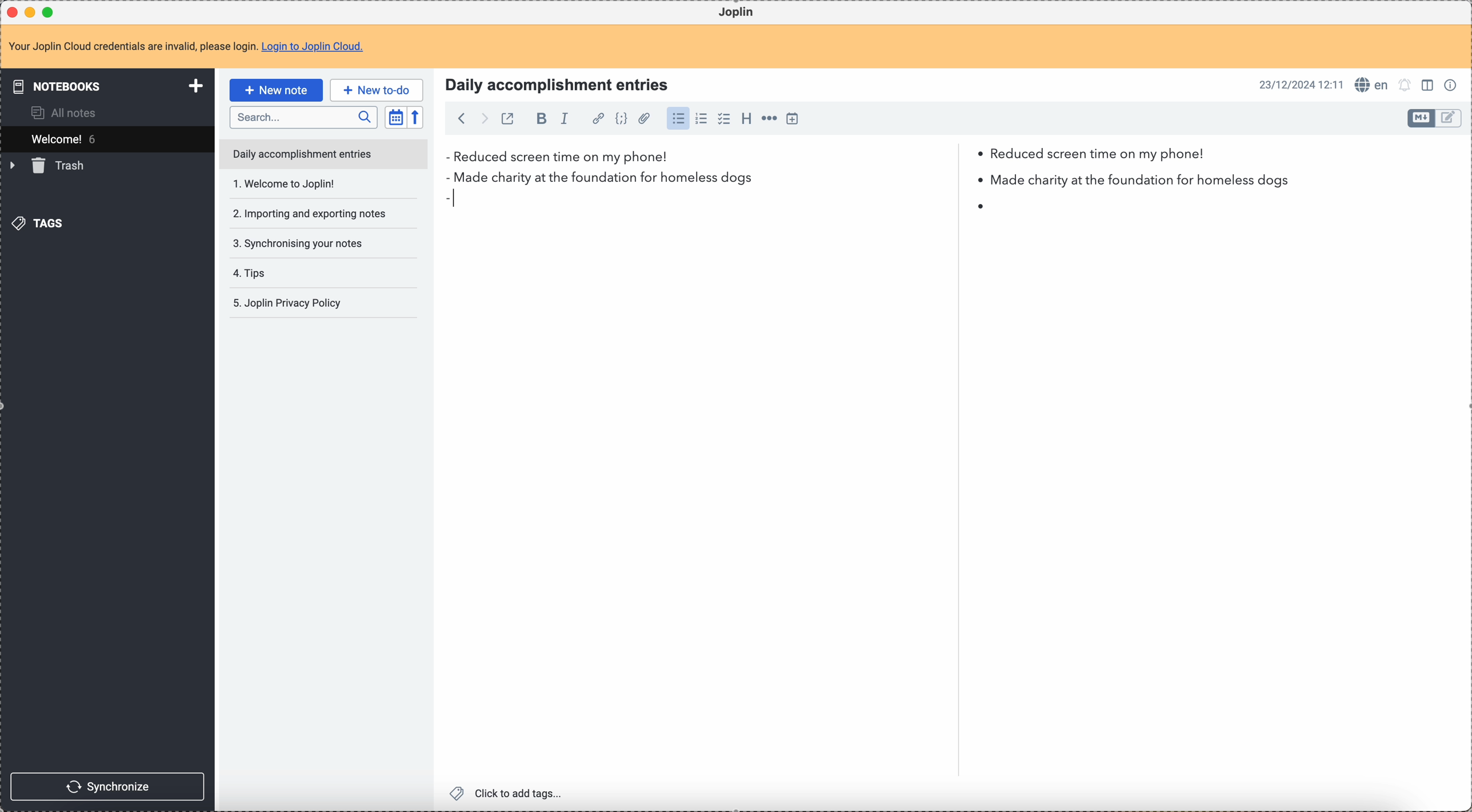 The height and width of the screenshot is (812, 1472). Describe the element at coordinates (644, 119) in the screenshot. I see `attach file` at that location.